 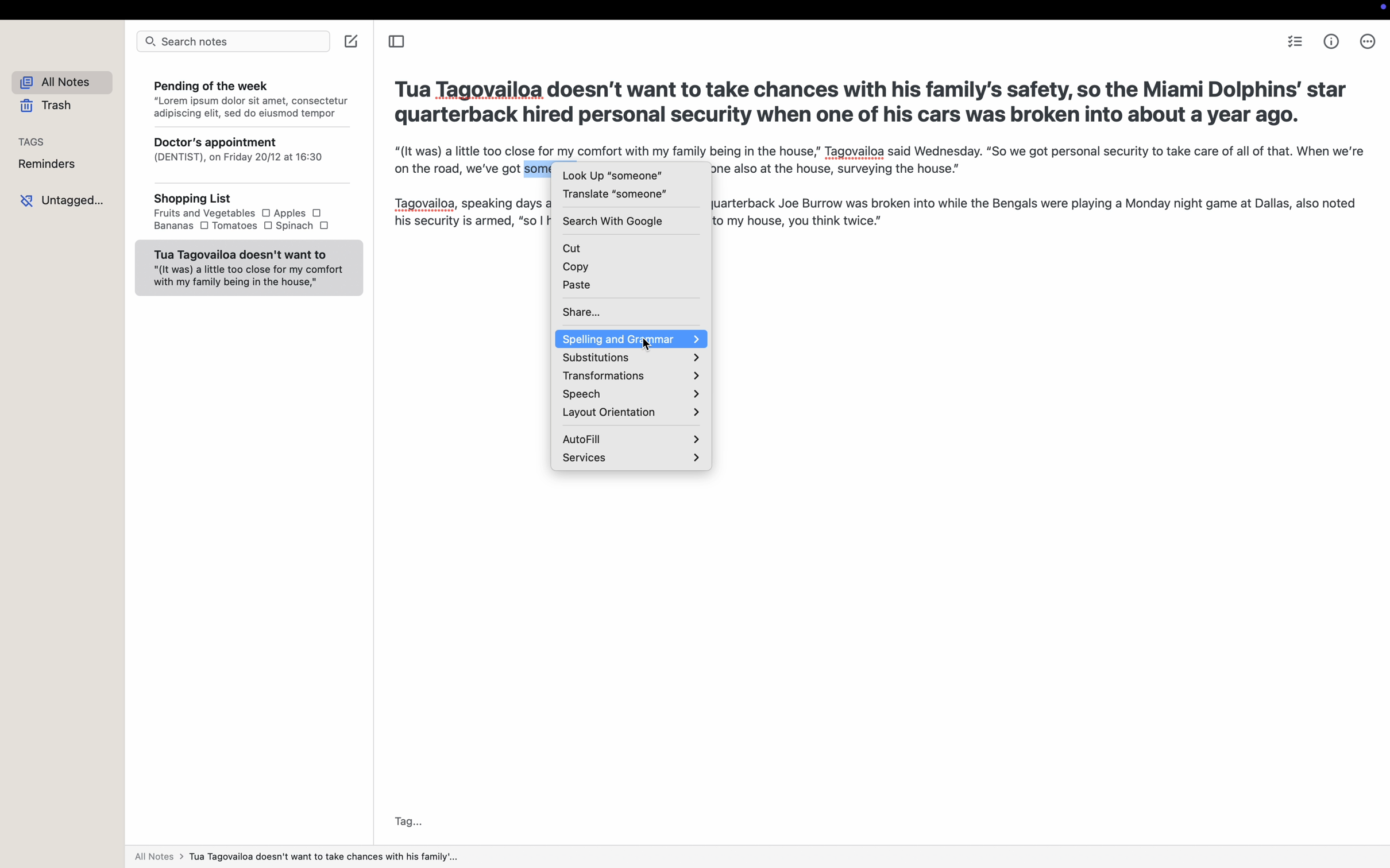 I want to click on paste, so click(x=632, y=288).